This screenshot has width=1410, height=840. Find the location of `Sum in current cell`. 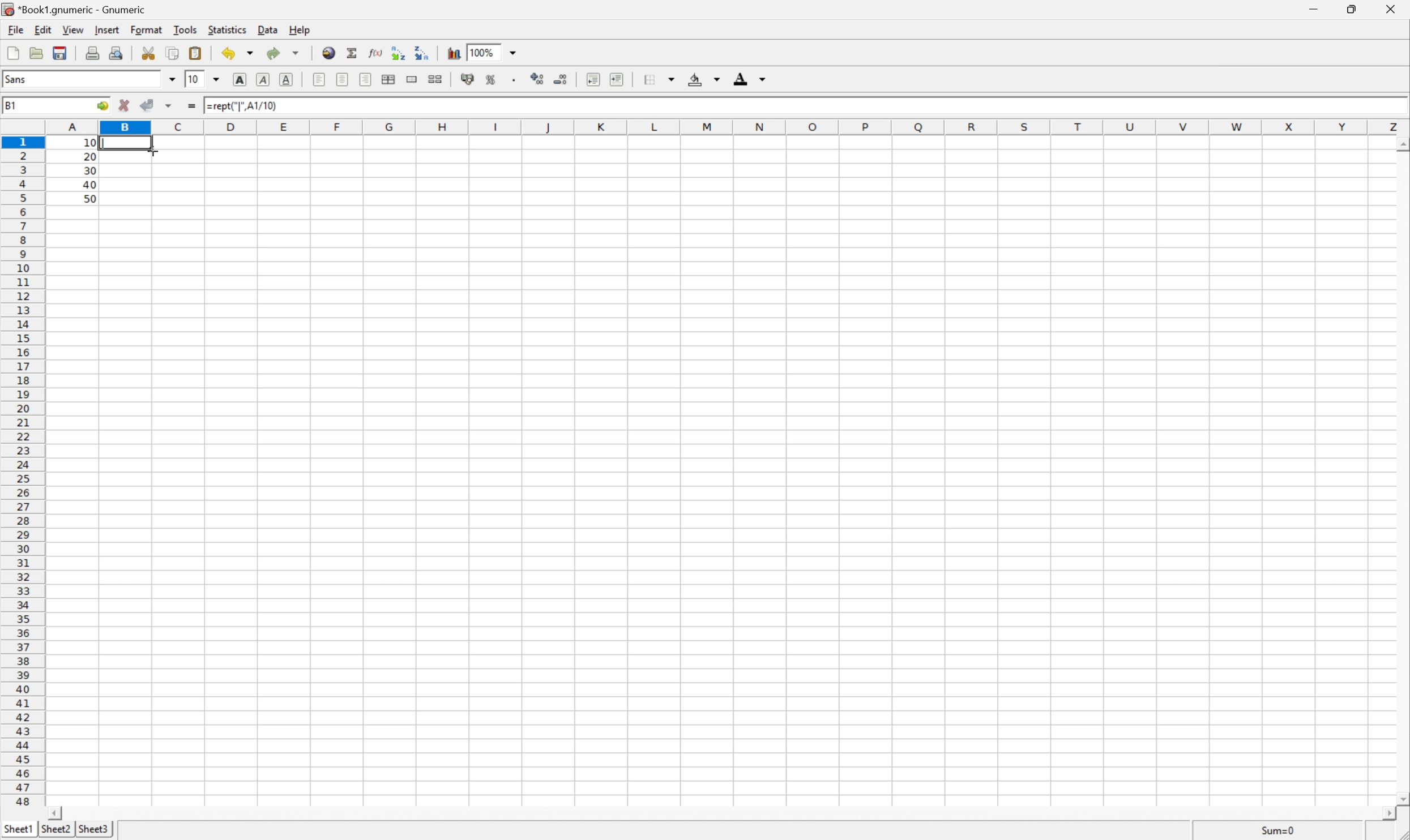

Sum in current cell is located at coordinates (353, 52).